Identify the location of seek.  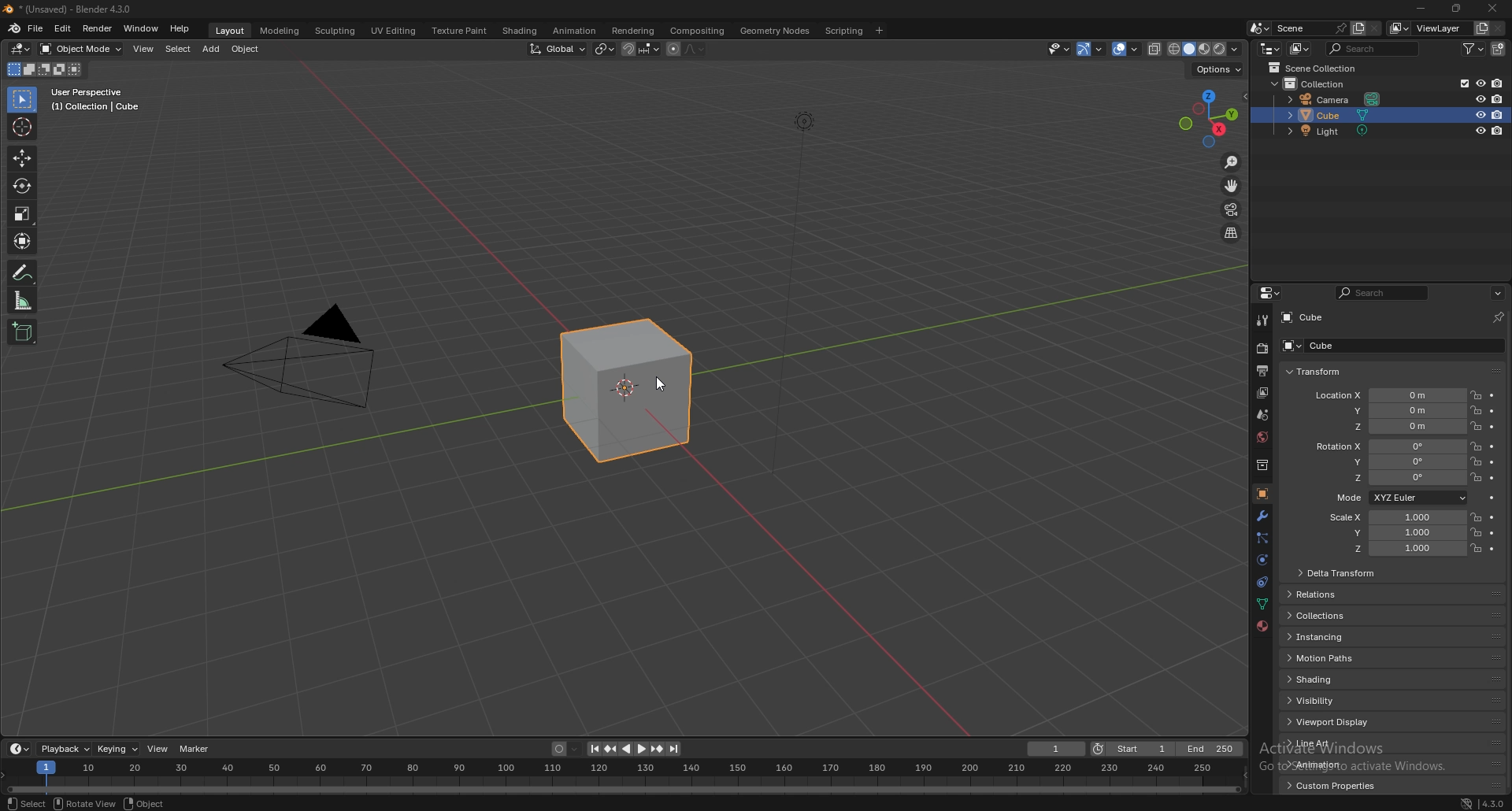
(624, 777).